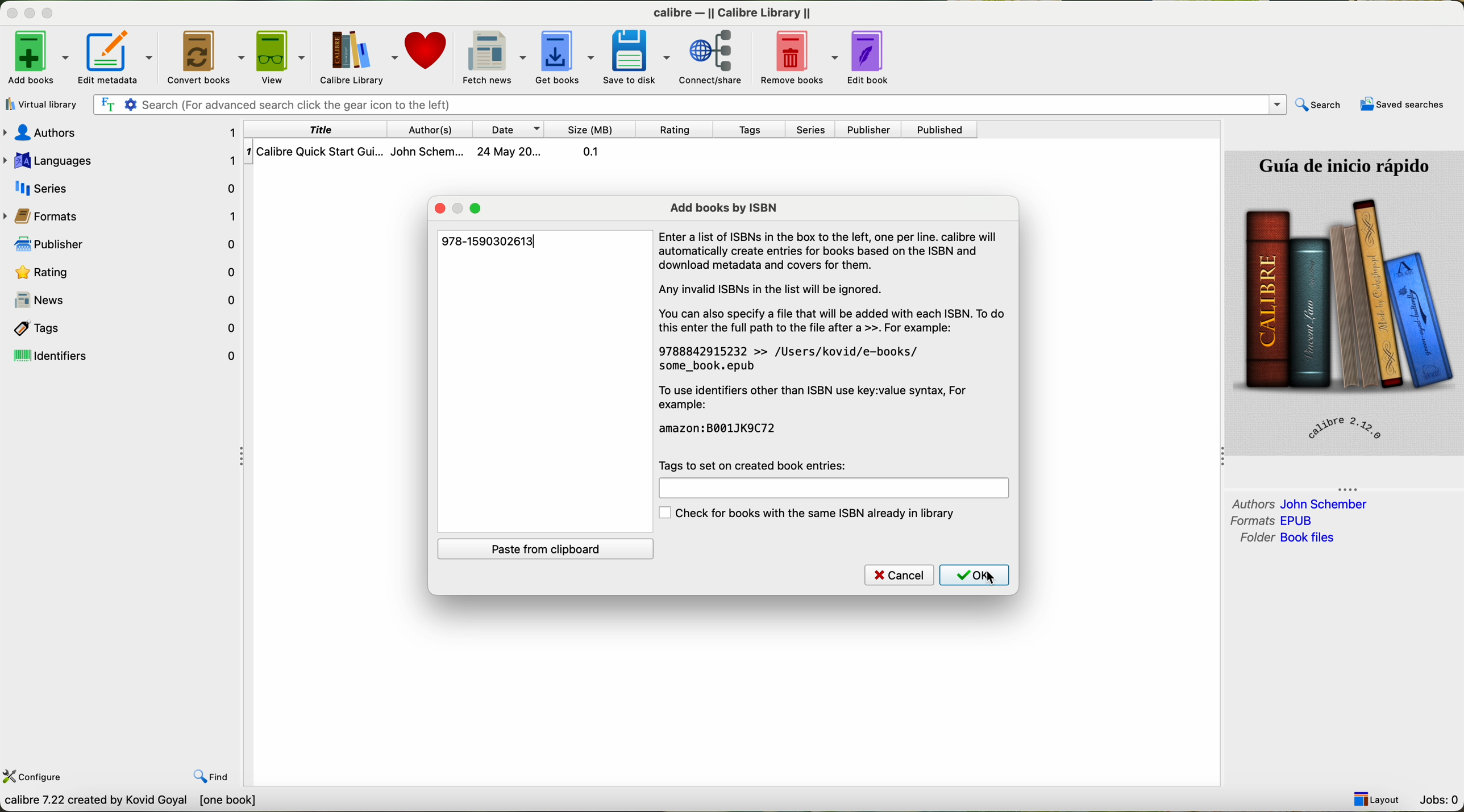 The height and width of the screenshot is (812, 1464). Describe the element at coordinates (441, 208) in the screenshot. I see `close window` at that location.